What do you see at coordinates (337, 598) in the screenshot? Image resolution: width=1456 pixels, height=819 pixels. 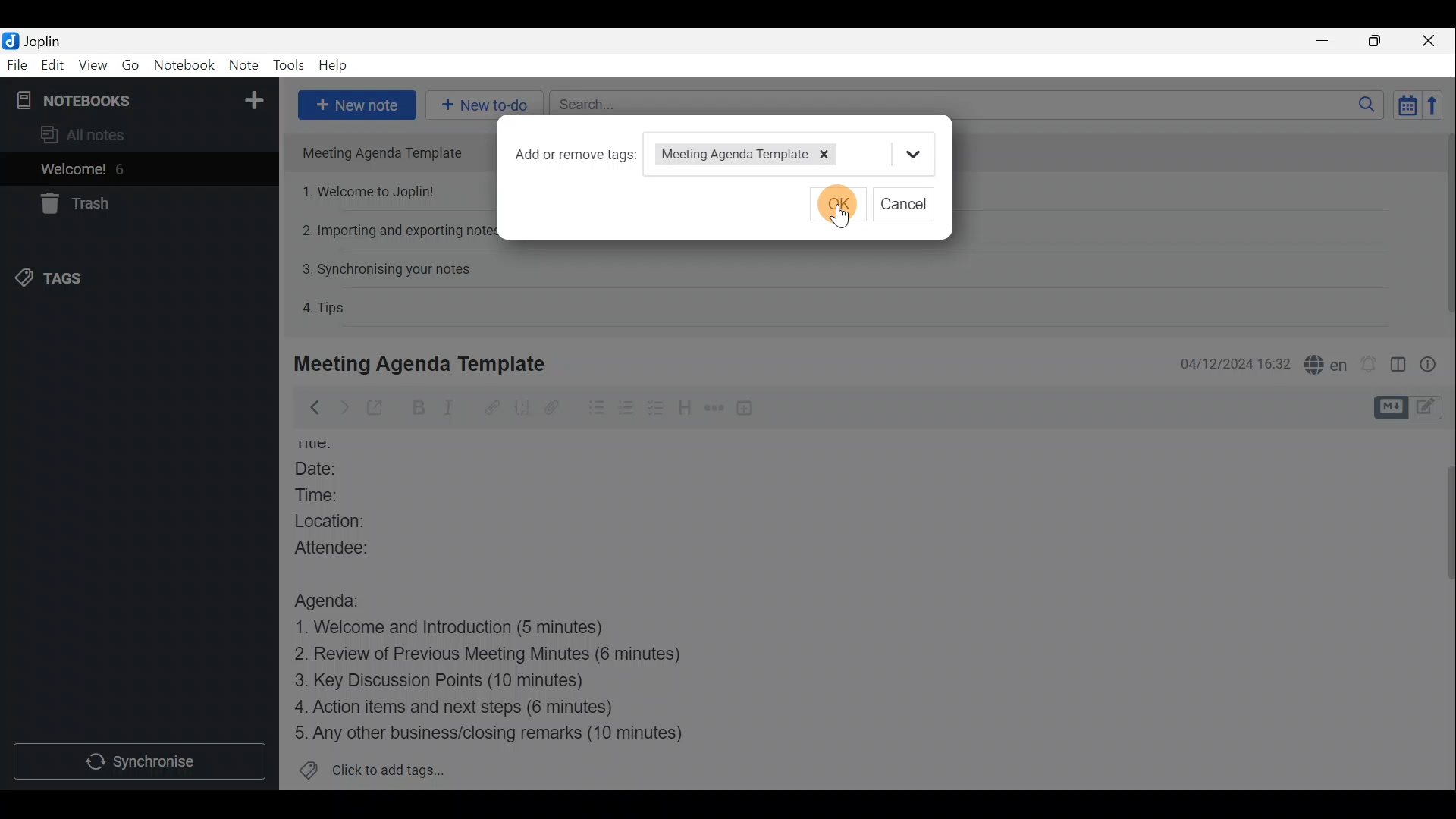 I see `Agenda:` at bounding box center [337, 598].